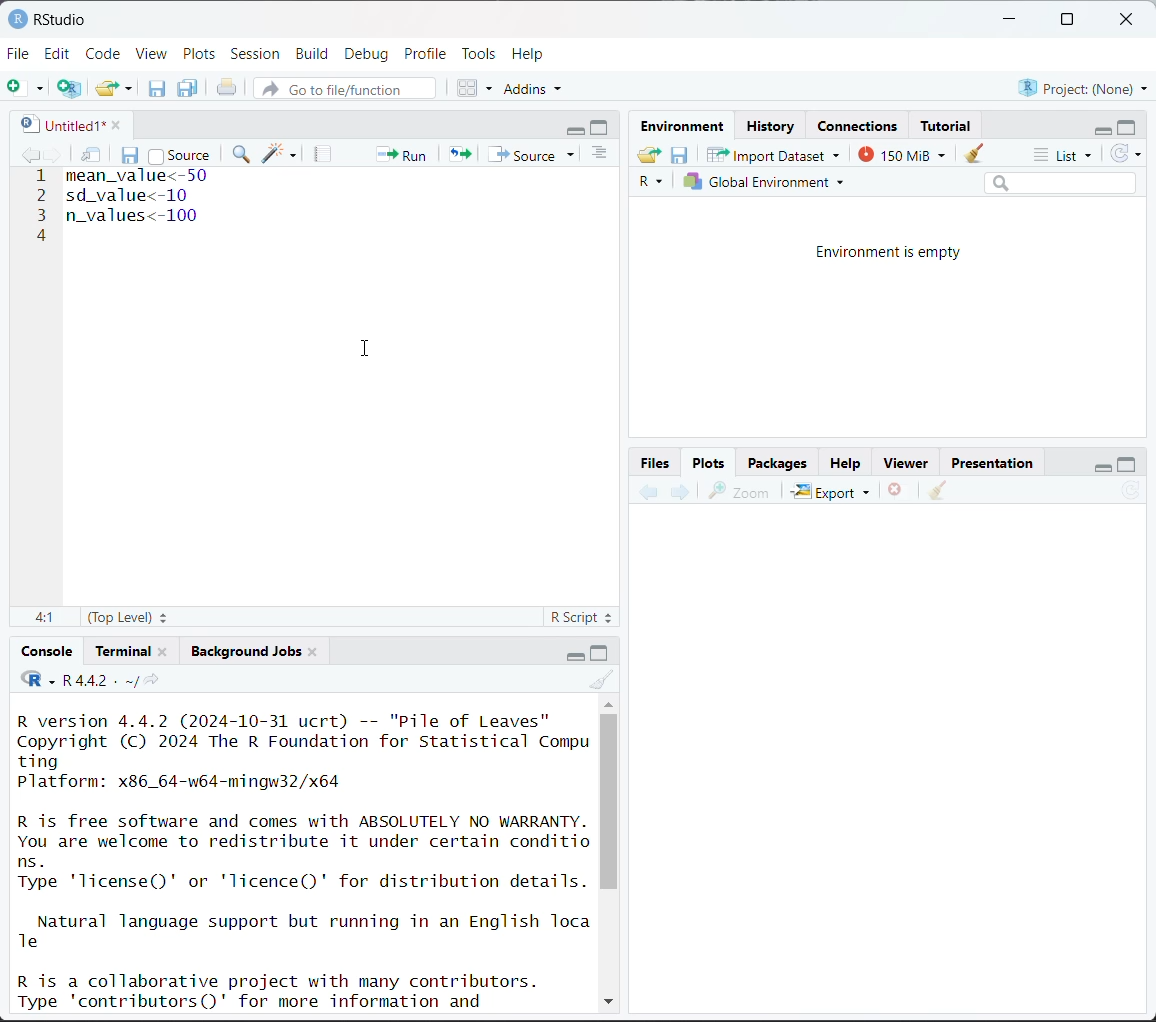 This screenshot has width=1156, height=1022. I want to click on remove the current plot, so click(896, 493).